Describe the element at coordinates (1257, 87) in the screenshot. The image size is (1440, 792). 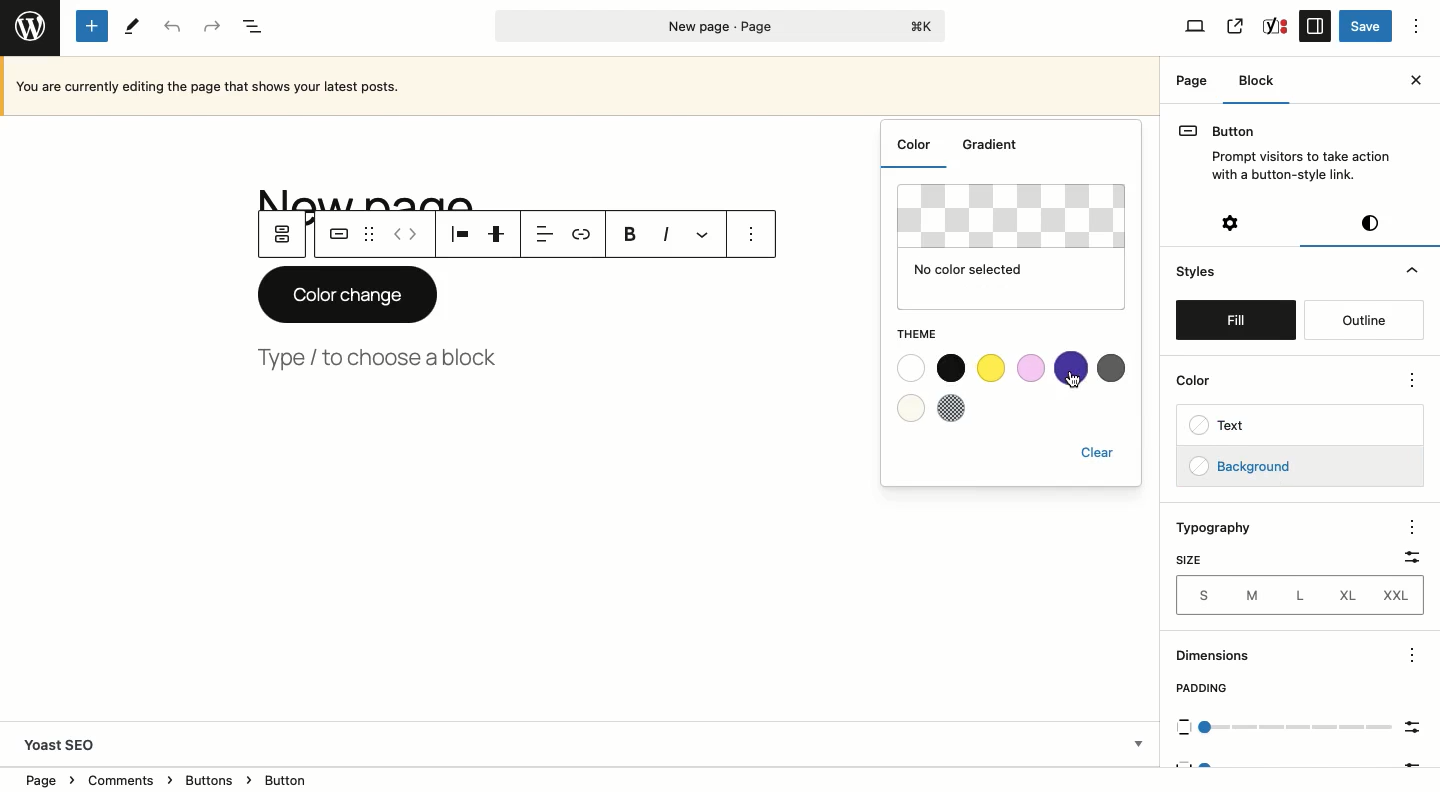
I see `Block` at that location.